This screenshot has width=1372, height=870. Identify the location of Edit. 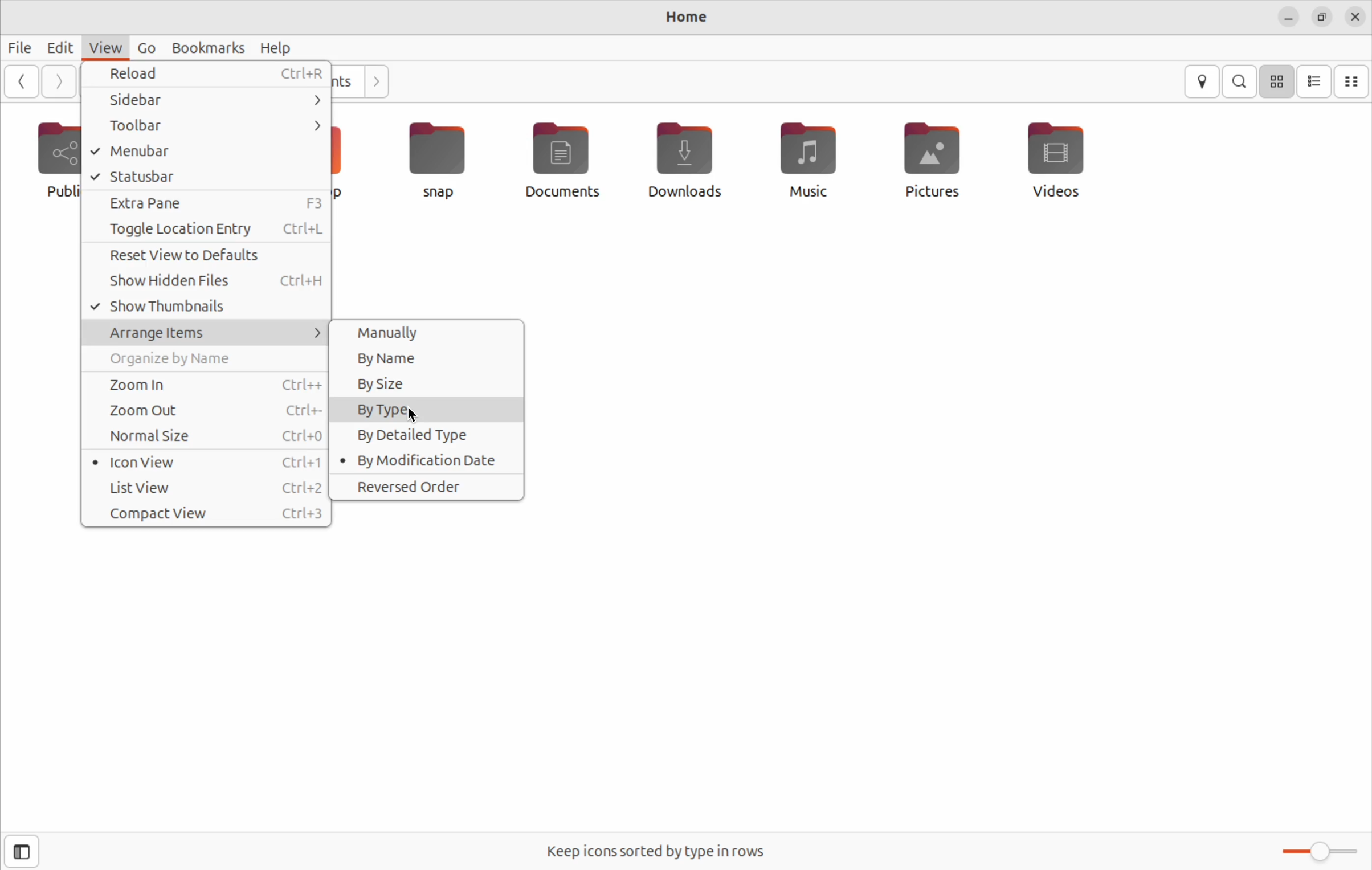
(59, 48).